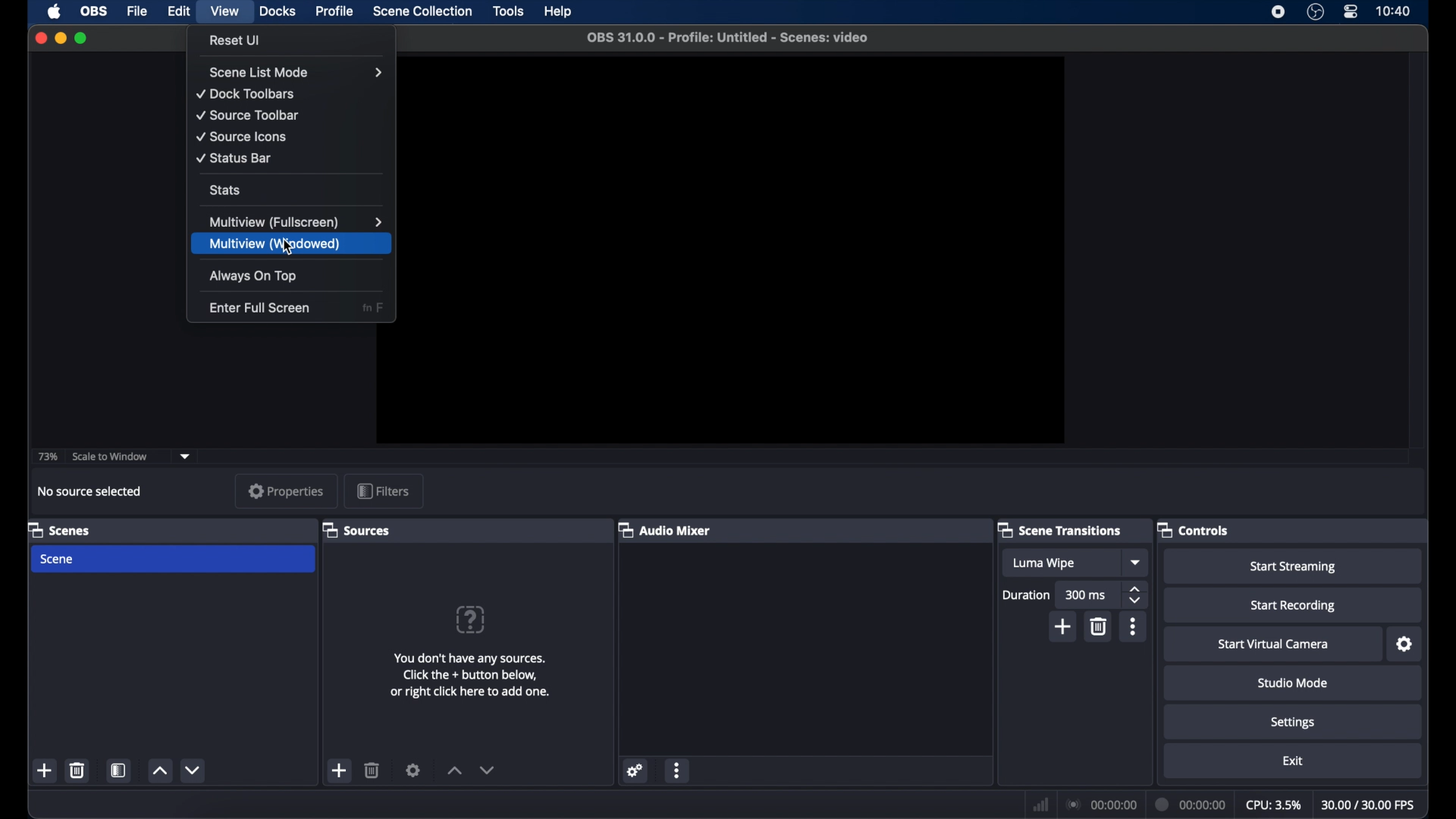 The height and width of the screenshot is (819, 1456). Describe the element at coordinates (1191, 803) in the screenshot. I see `00:00:00` at that location.